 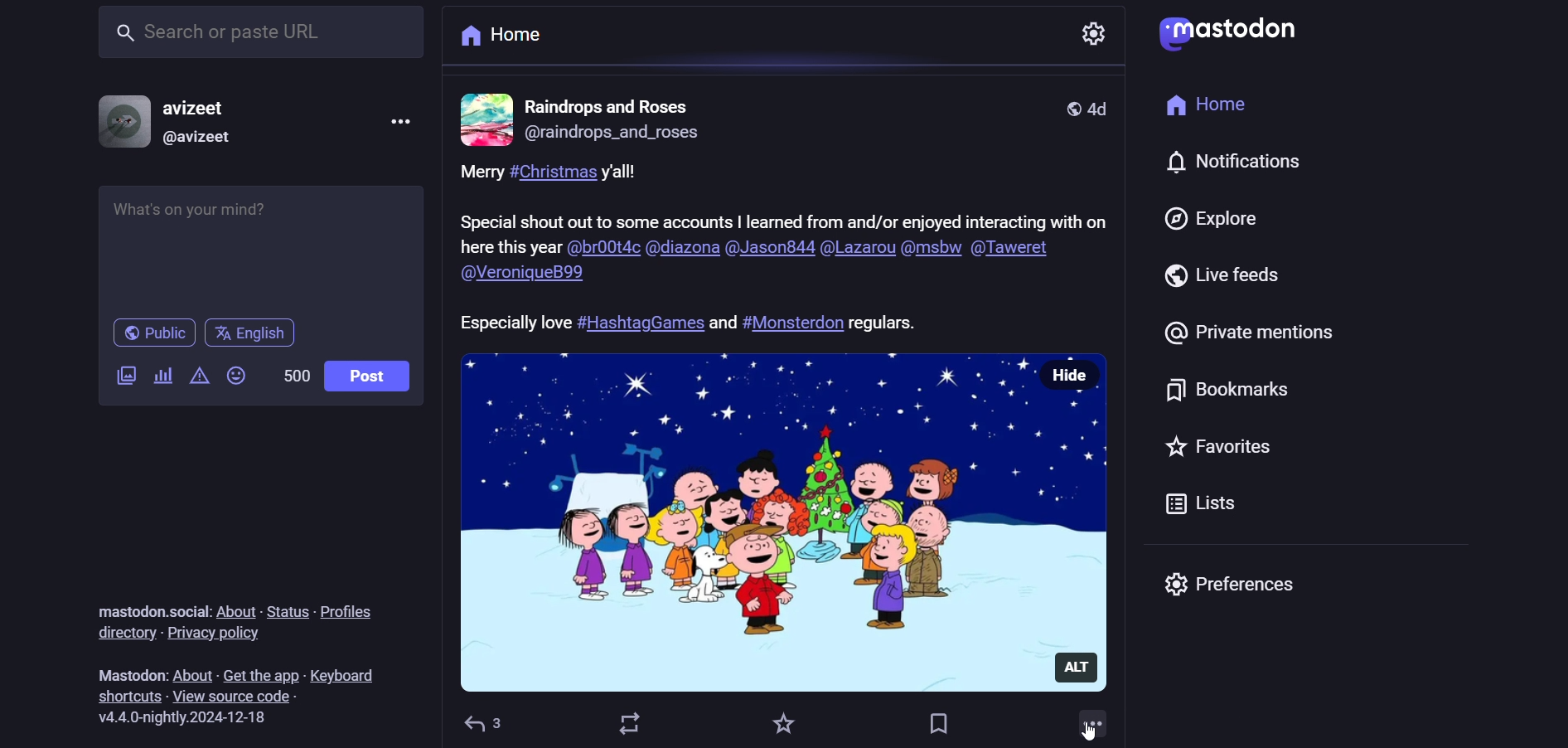 I want to click on cursor, so click(x=1089, y=731).